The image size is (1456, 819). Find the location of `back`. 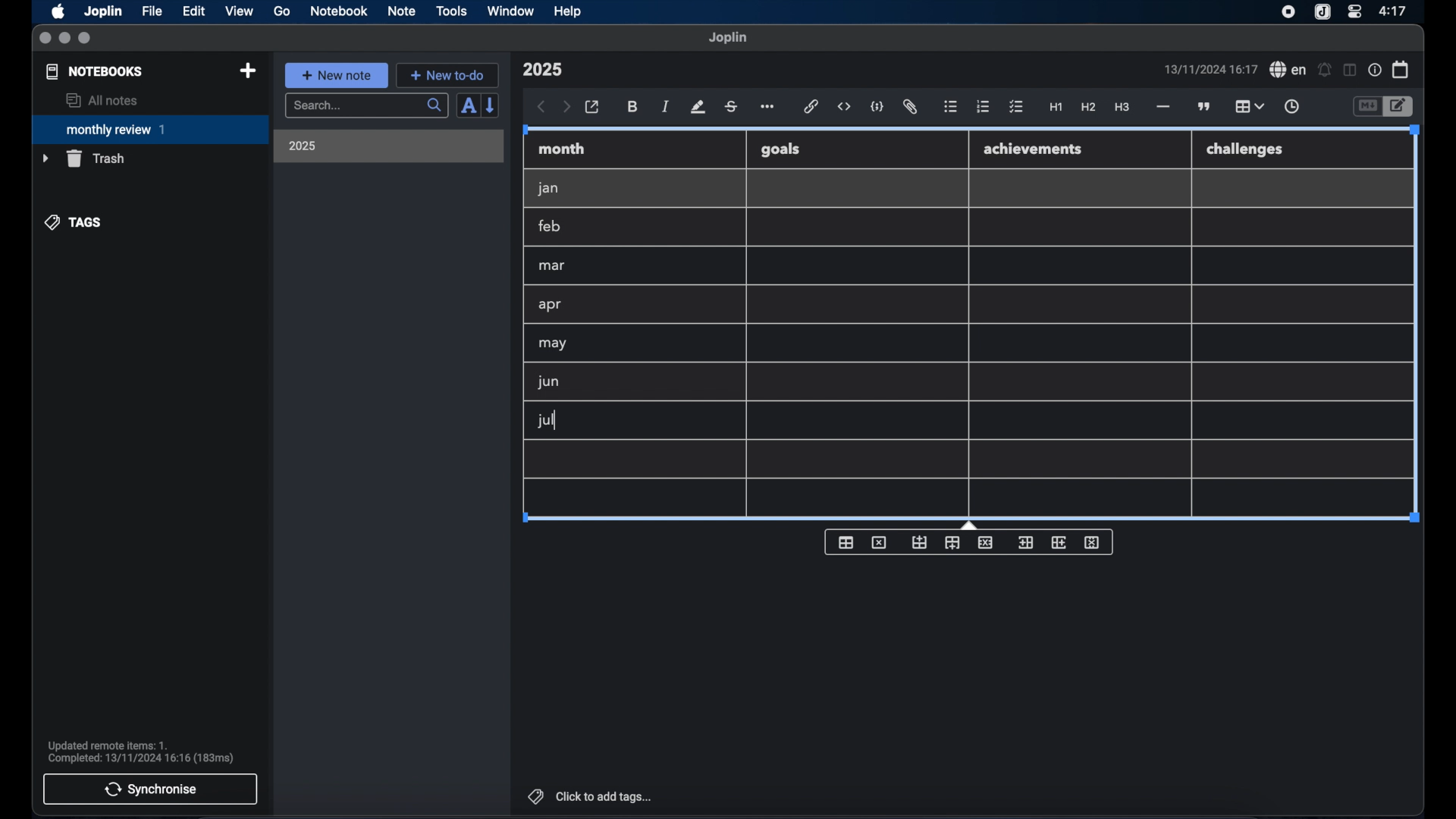

back is located at coordinates (541, 107).